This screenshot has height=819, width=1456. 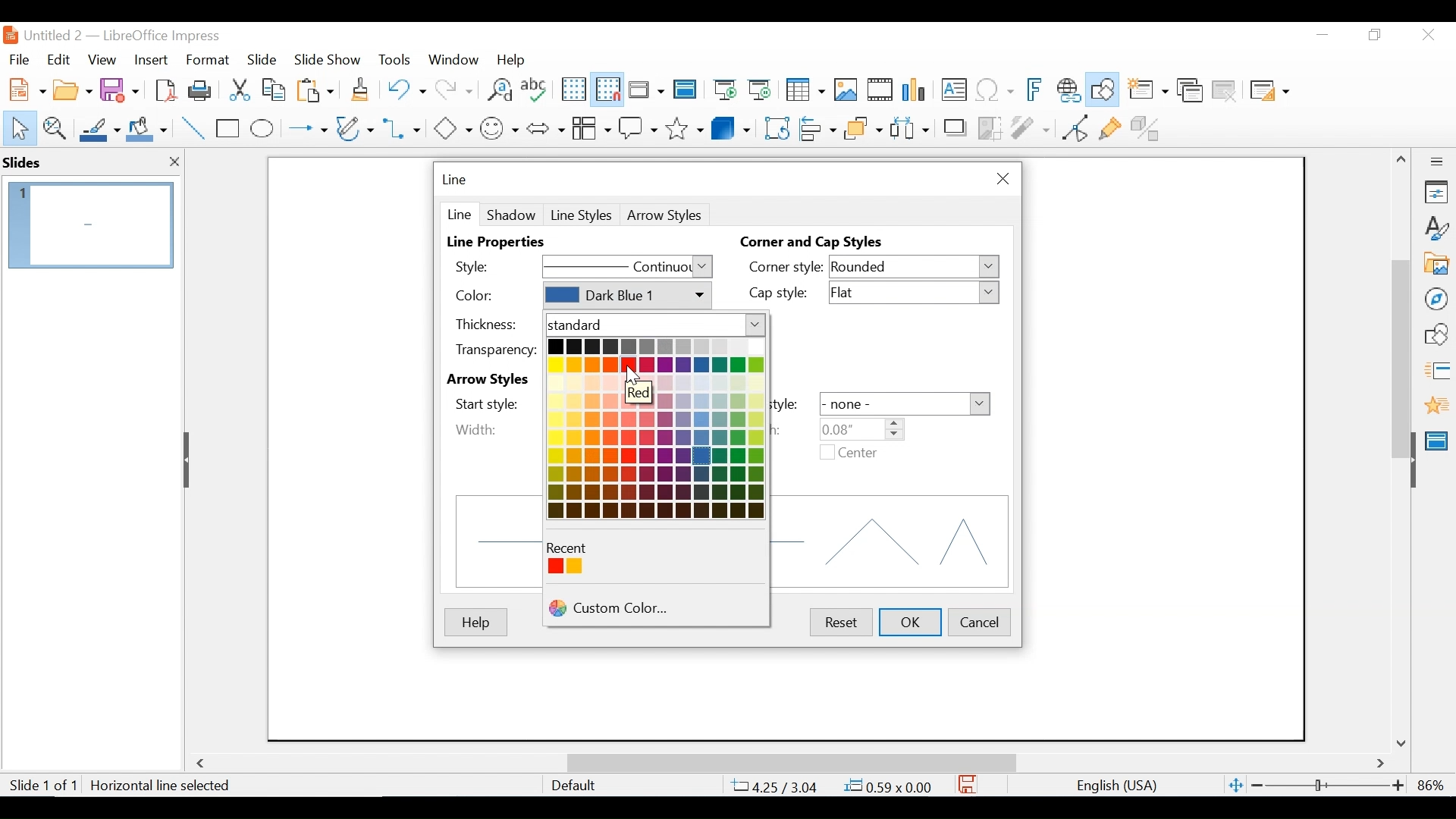 What do you see at coordinates (356, 127) in the screenshot?
I see `` at bounding box center [356, 127].